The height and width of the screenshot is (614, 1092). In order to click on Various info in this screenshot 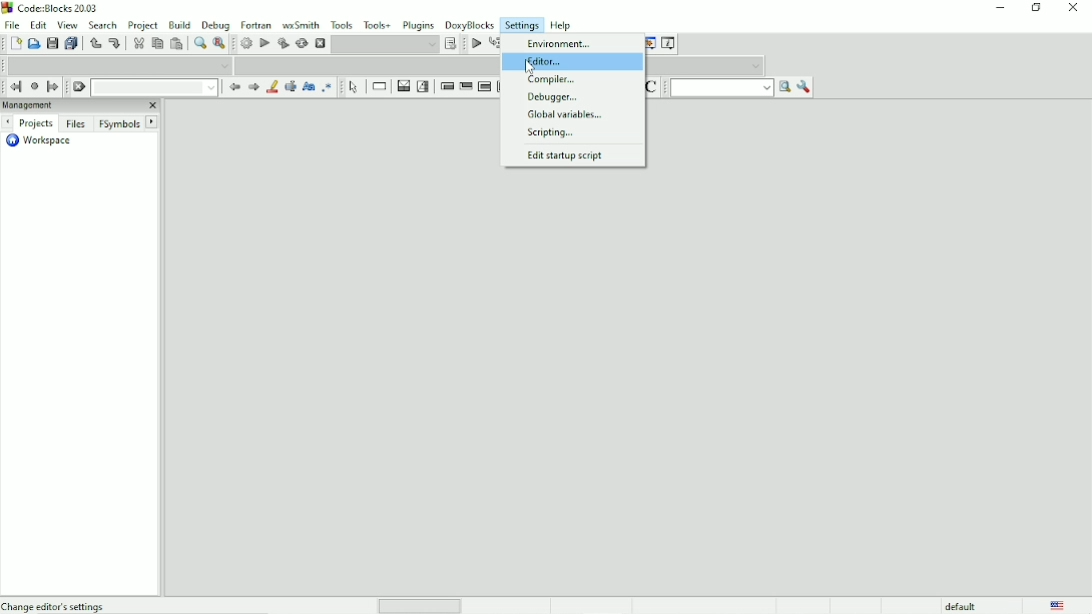, I will do `click(669, 43)`.